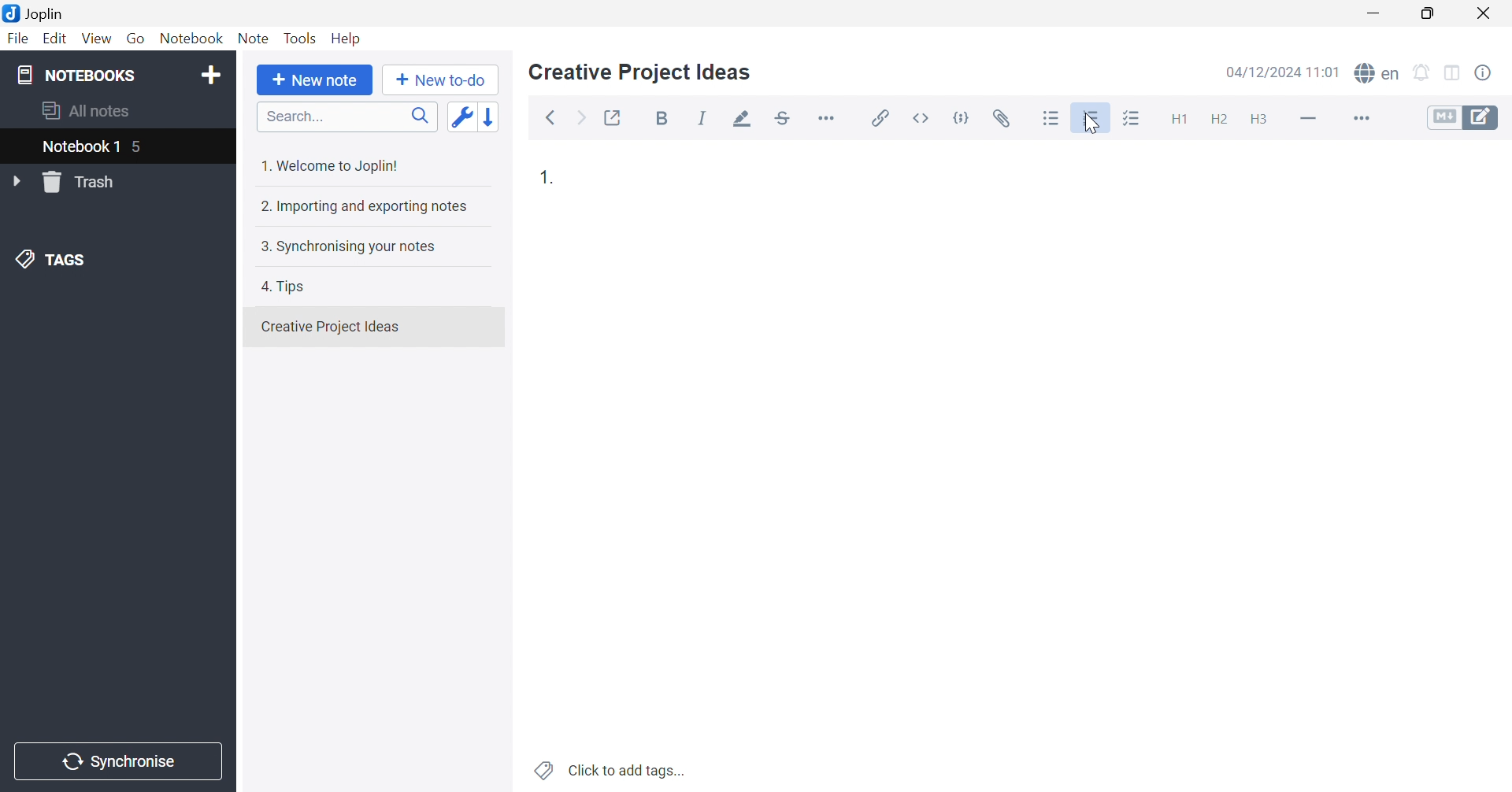  I want to click on Toggle external editing, so click(611, 119).